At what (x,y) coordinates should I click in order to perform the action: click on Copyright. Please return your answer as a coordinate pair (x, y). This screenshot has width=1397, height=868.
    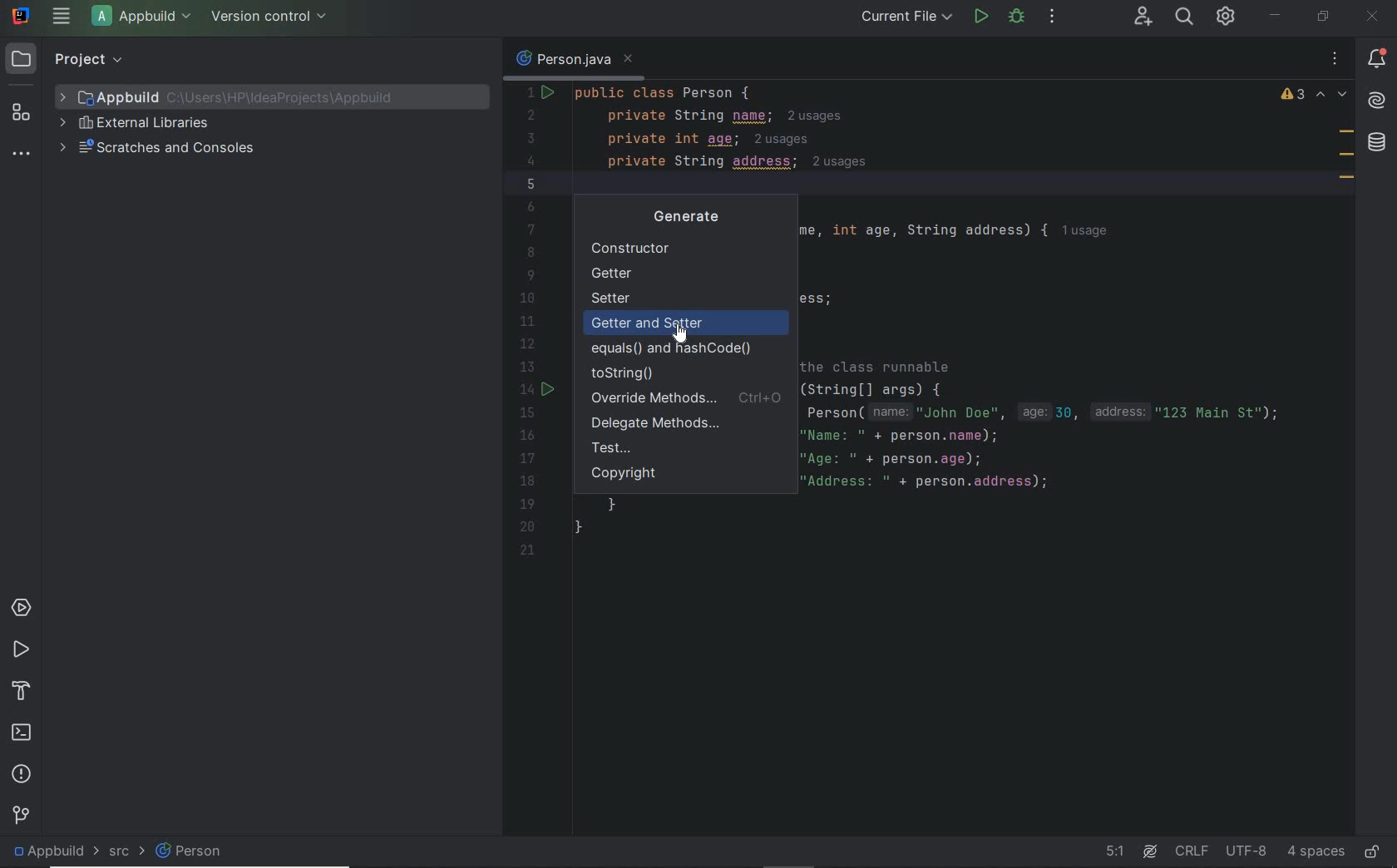
    Looking at the image, I should click on (632, 476).